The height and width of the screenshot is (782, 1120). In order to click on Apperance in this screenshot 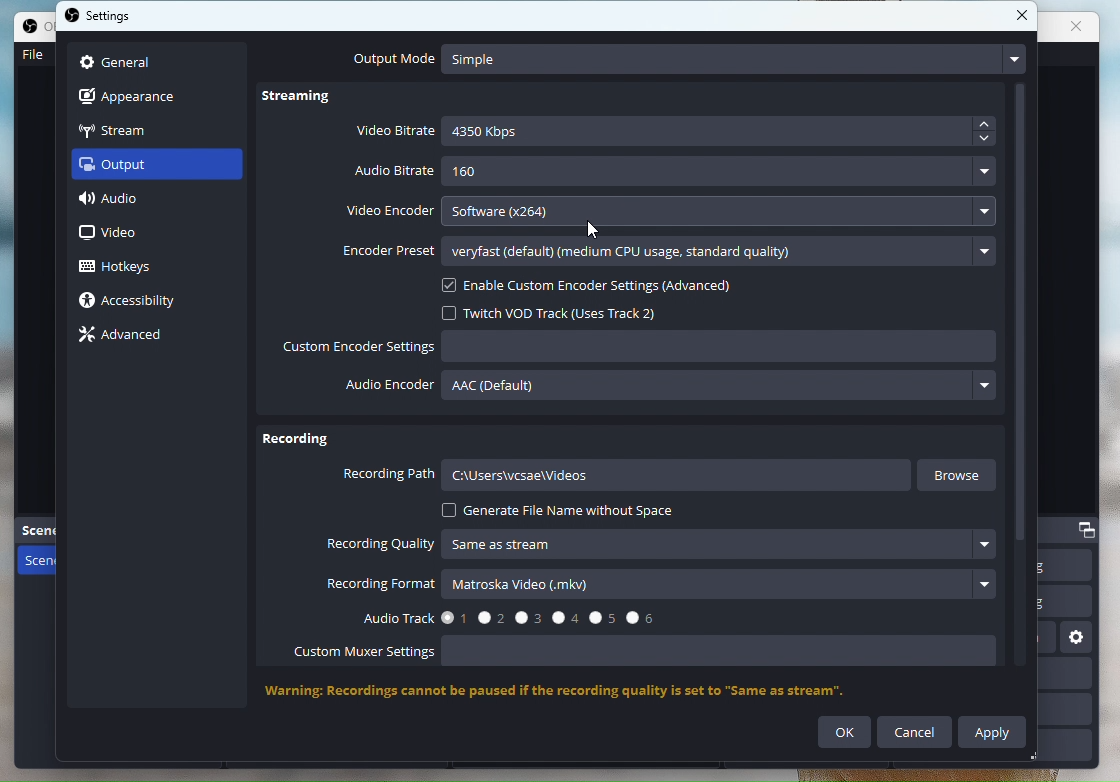, I will do `click(139, 94)`.